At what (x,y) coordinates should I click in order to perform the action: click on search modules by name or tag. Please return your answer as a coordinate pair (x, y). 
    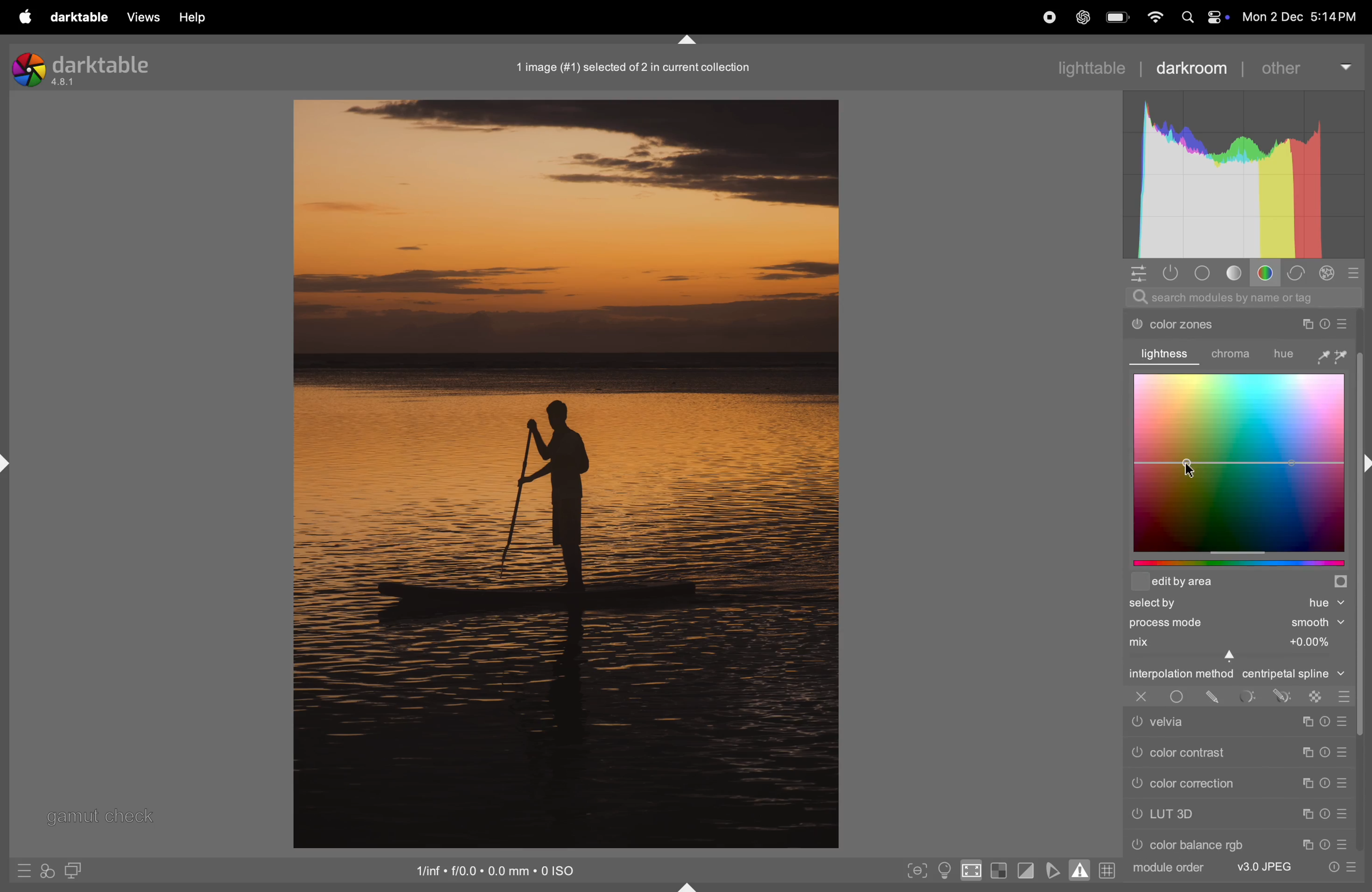
    Looking at the image, I should click on (1243, 297).